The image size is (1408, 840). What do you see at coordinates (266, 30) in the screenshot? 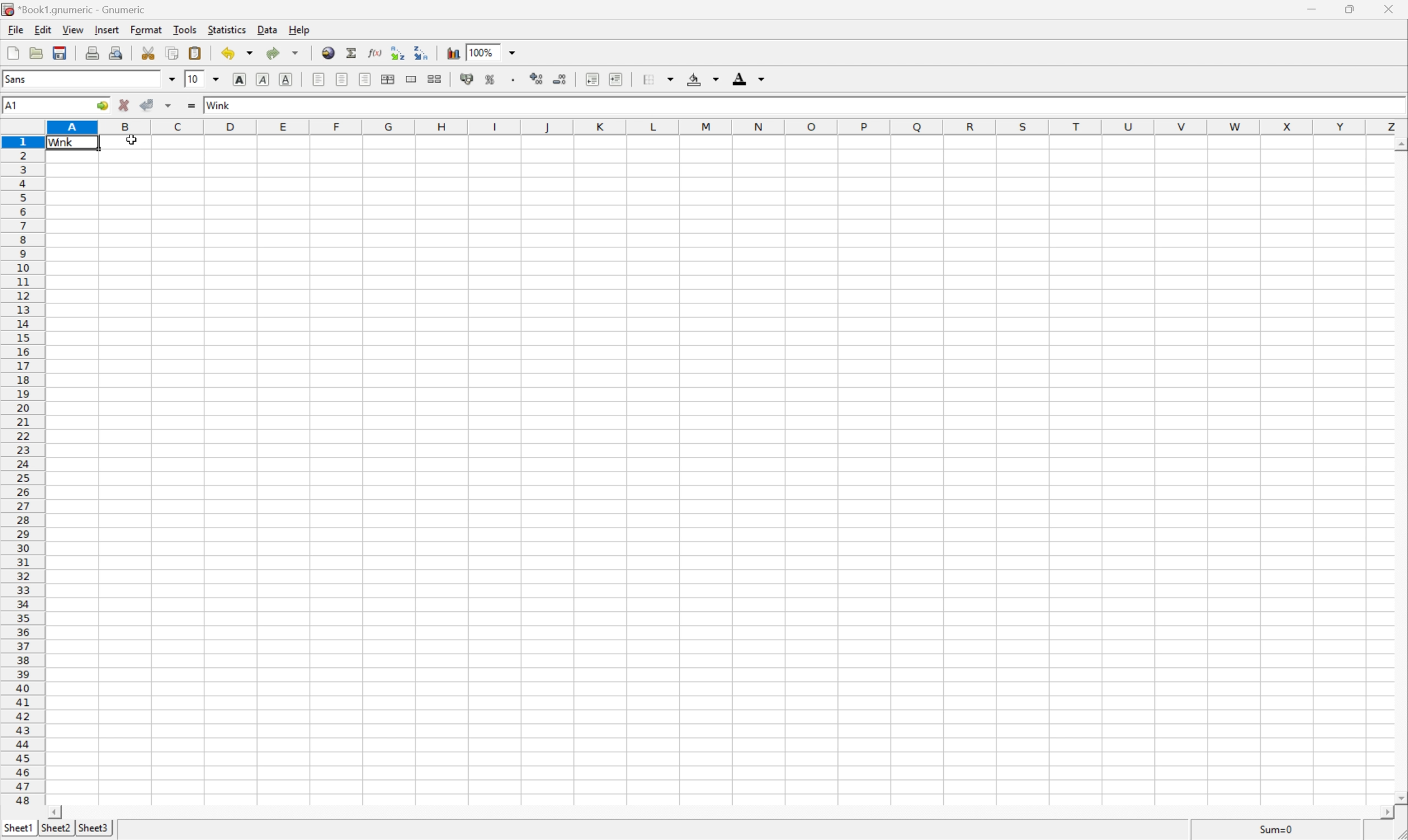
I see `data` at bounding box center [266, 30].